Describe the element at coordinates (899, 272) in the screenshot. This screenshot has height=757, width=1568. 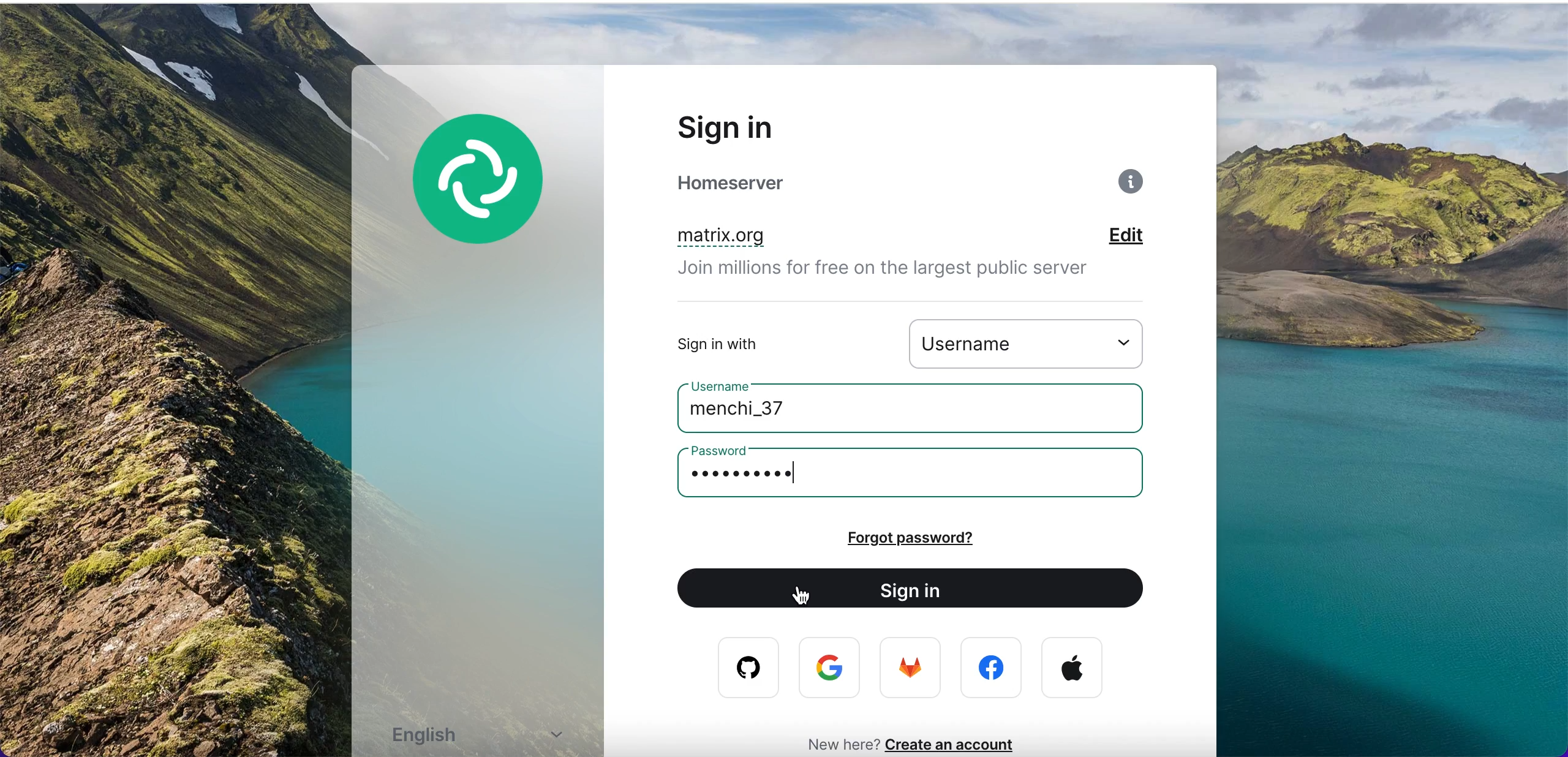
I see `join millions for free on the largest public server` at that location.